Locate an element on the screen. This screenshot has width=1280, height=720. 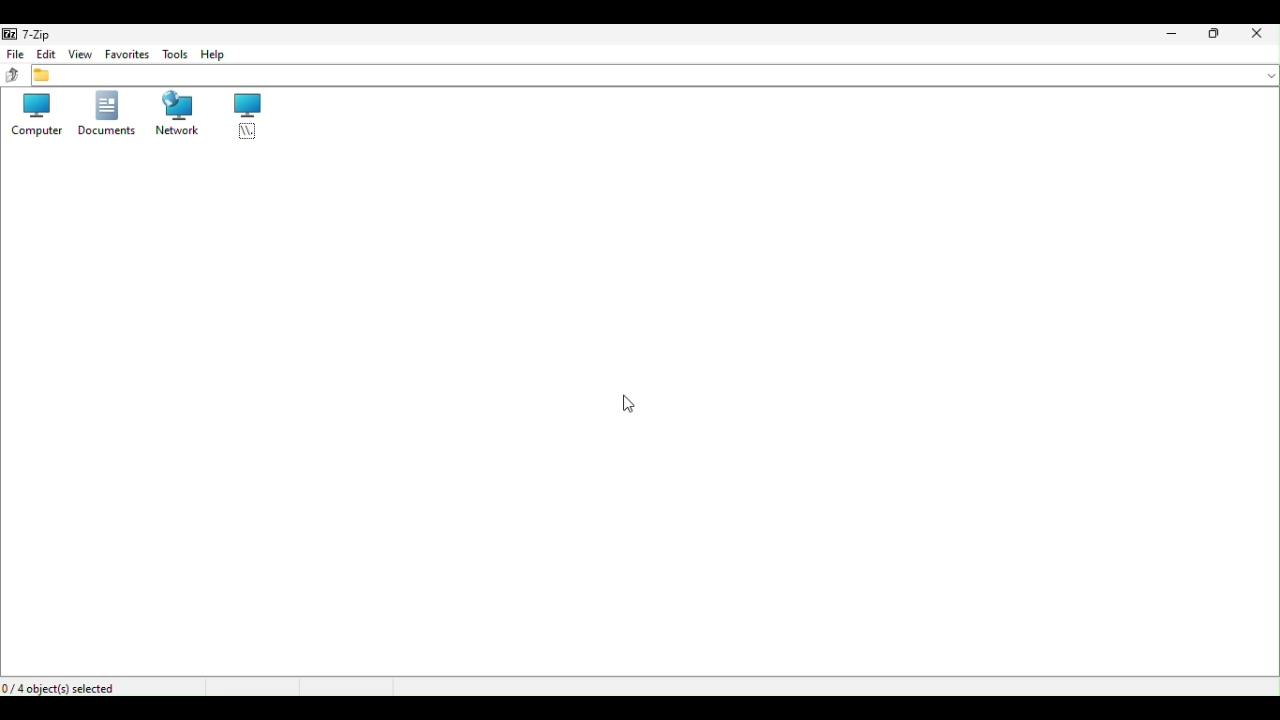
Tools is located at coordinates (177, 55).